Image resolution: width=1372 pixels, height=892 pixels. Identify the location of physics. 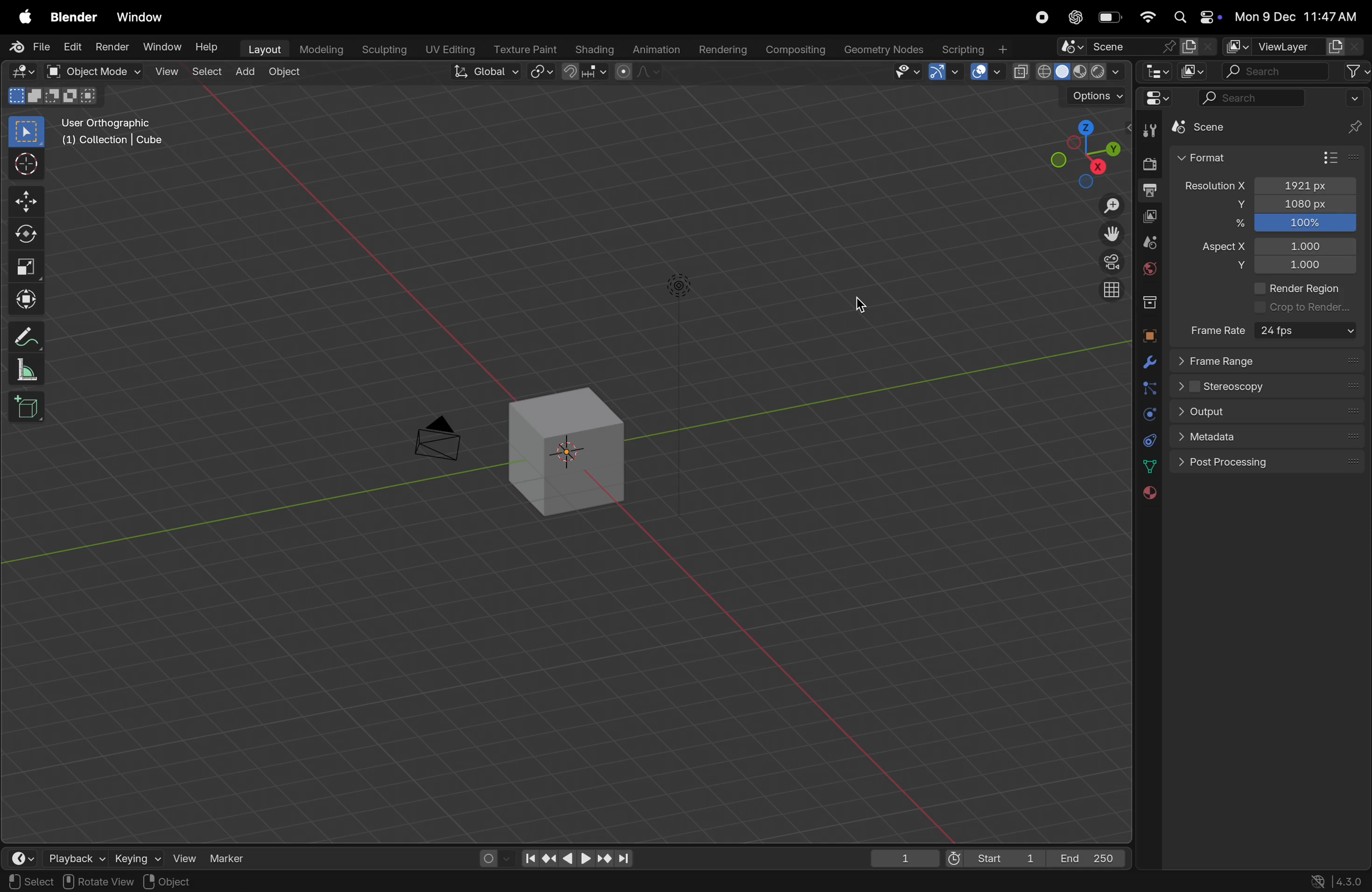
(1147, 413).